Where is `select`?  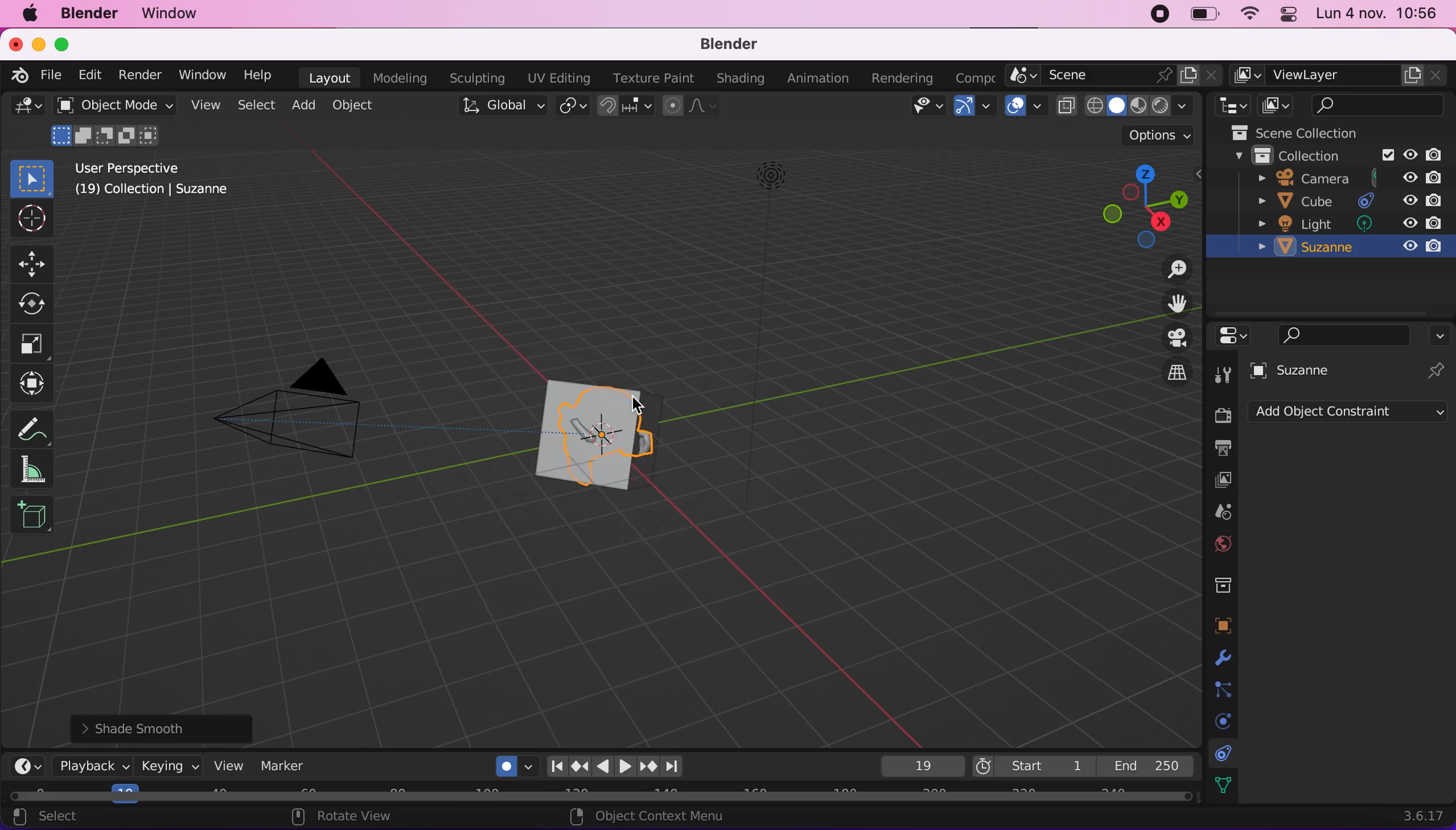
select is located at coordinates (59, 818).